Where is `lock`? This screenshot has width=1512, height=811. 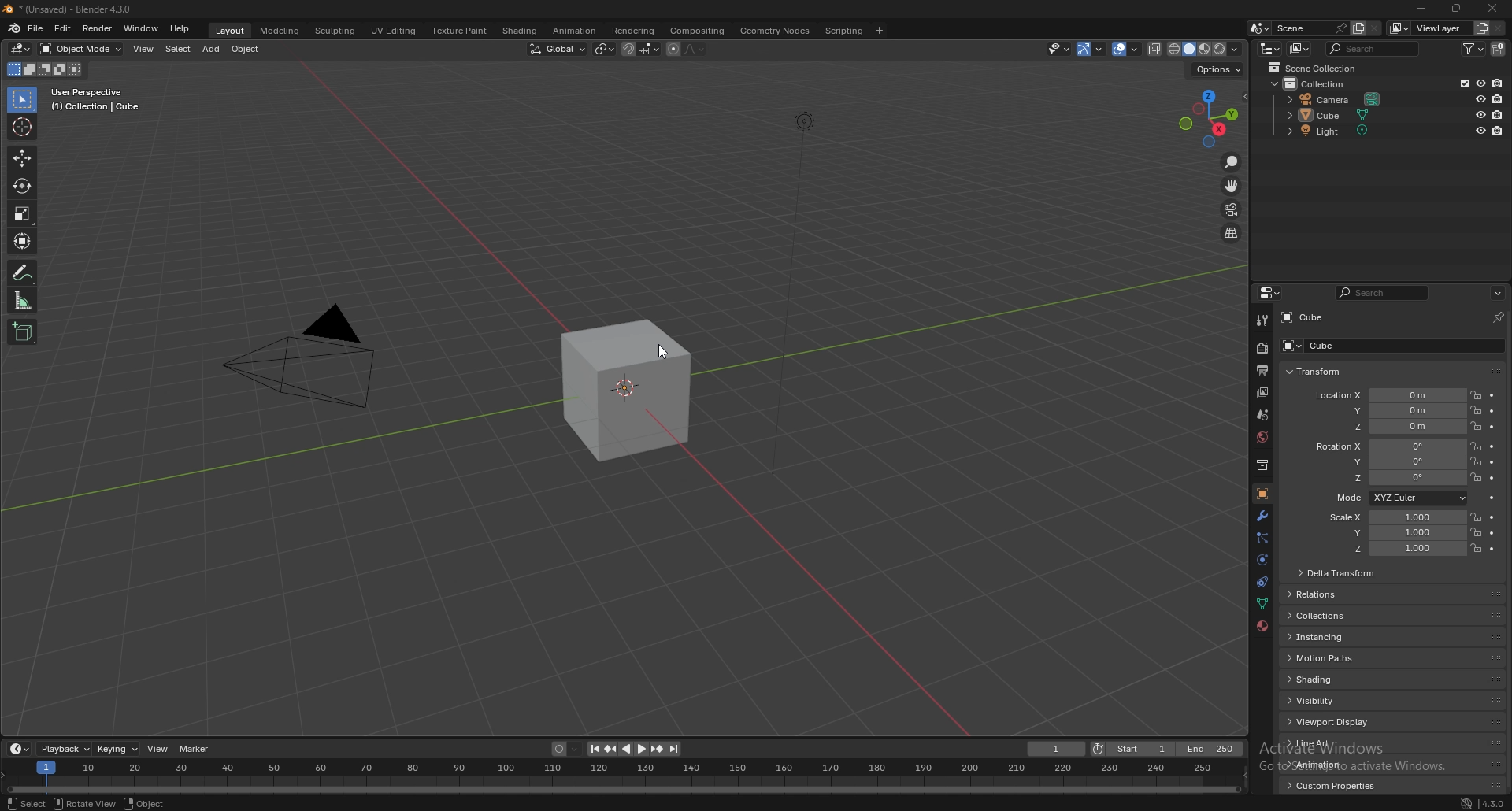 lock is located at coordinates (1475, 426).